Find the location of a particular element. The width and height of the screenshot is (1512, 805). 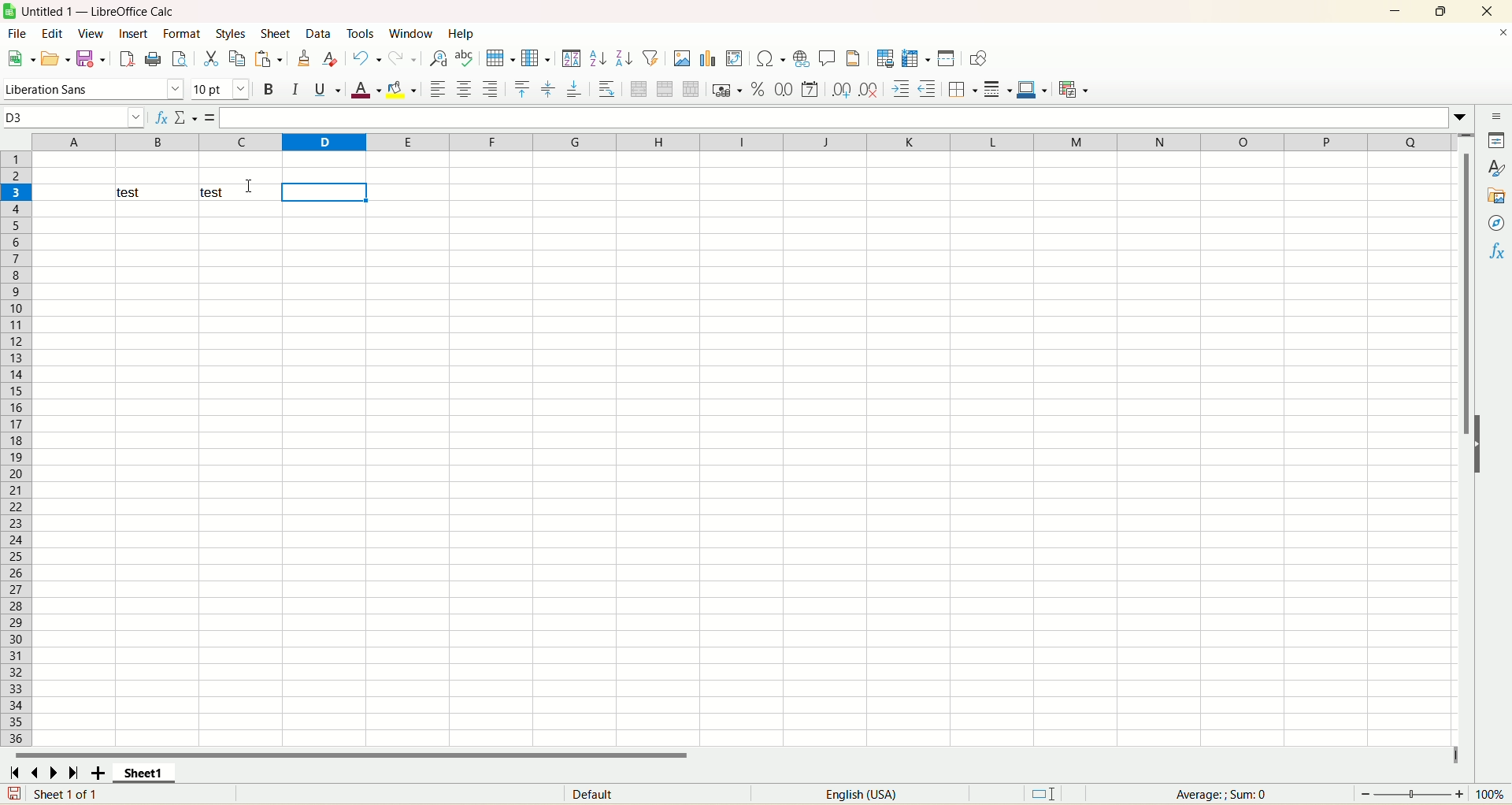

Average: ; Sum: 0 is located at coordinates (1221, 795).